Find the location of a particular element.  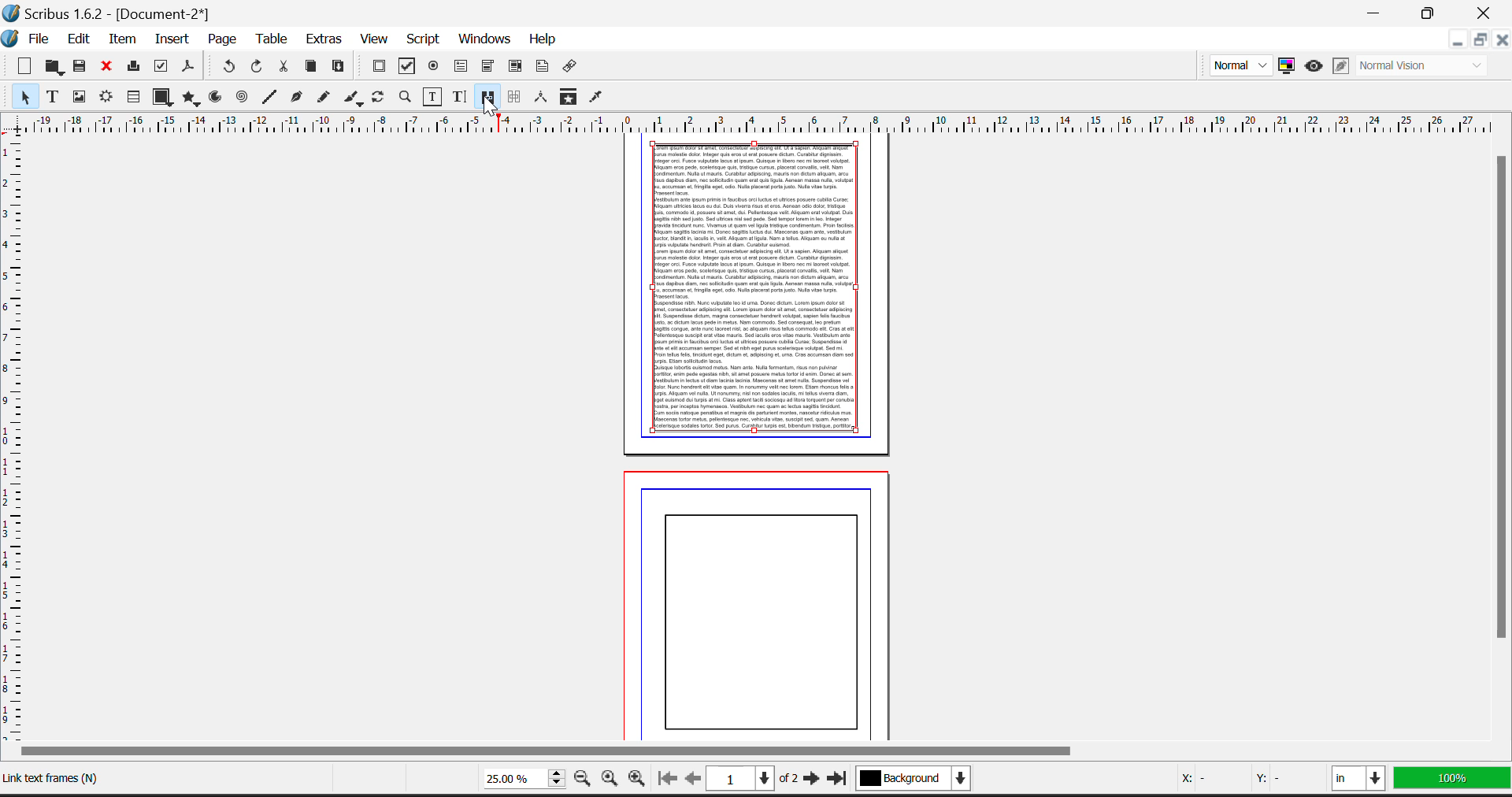

Toggle Color Management is located at coordinates (1289, 67).